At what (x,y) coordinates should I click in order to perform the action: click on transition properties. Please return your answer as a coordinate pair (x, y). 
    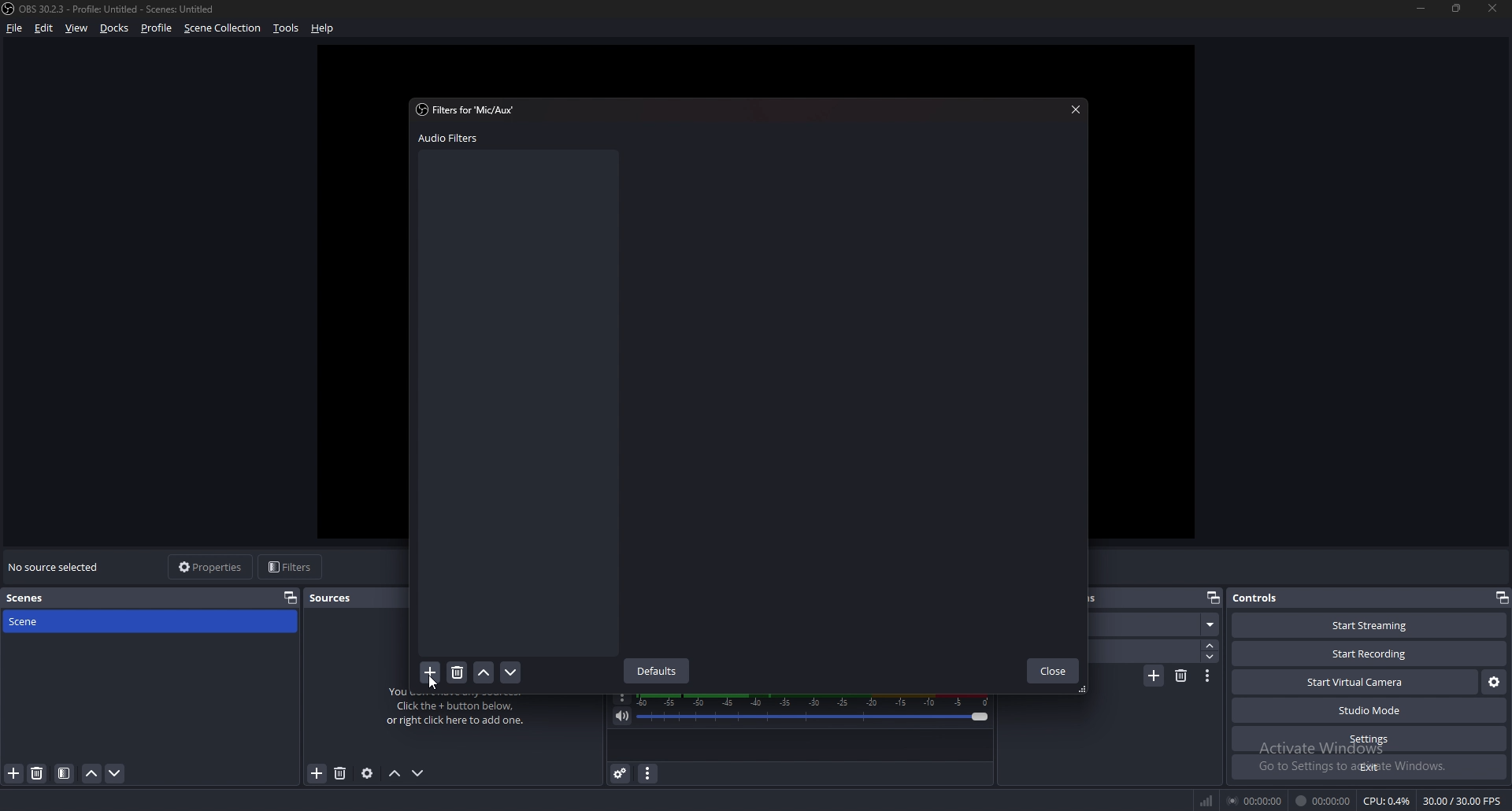
    Looking at the image, I should click on (1210, 676).